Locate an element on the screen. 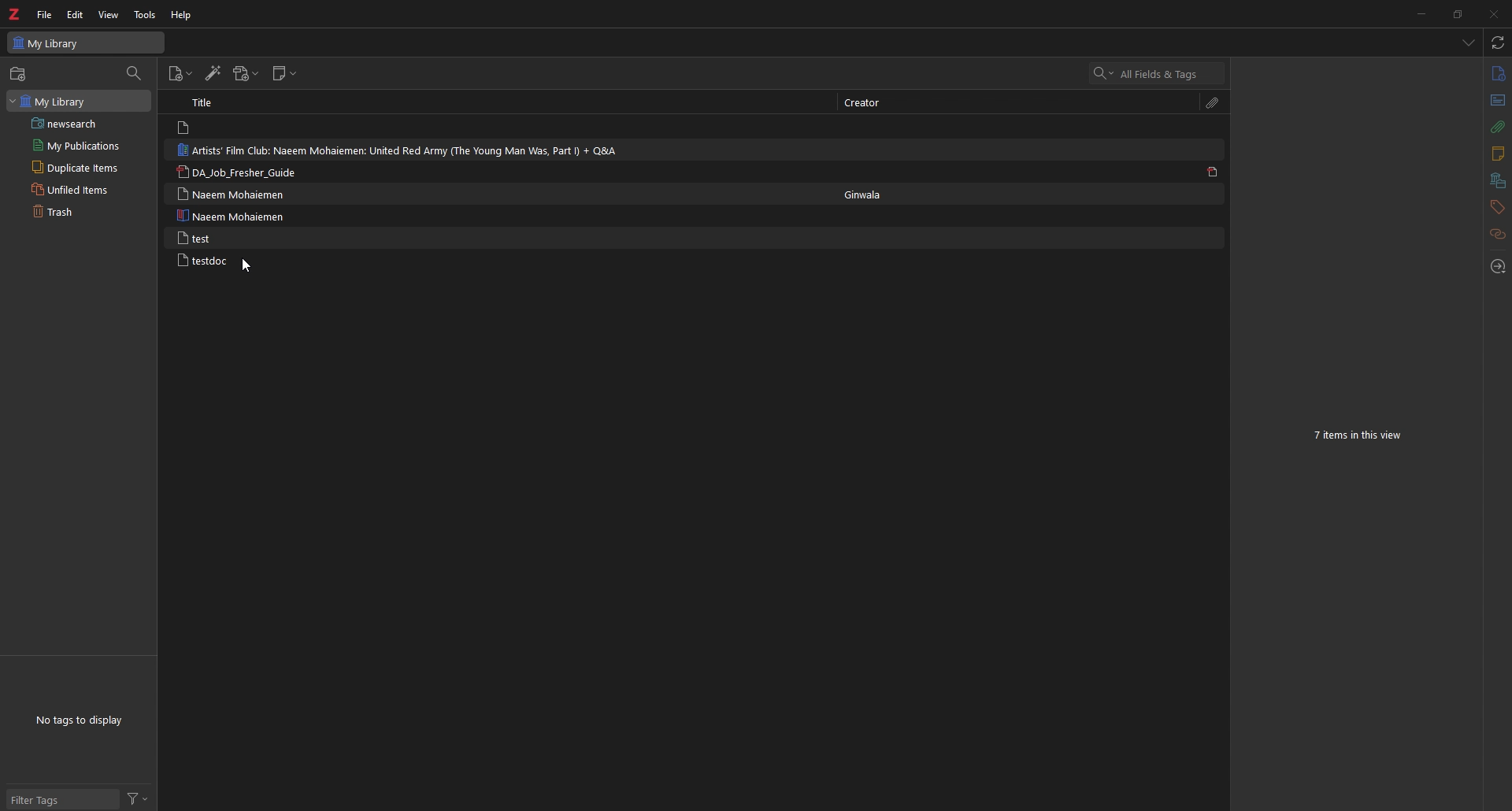 This screenshot has height=811, width=1512. resize is located at coordinates (1456, 14).